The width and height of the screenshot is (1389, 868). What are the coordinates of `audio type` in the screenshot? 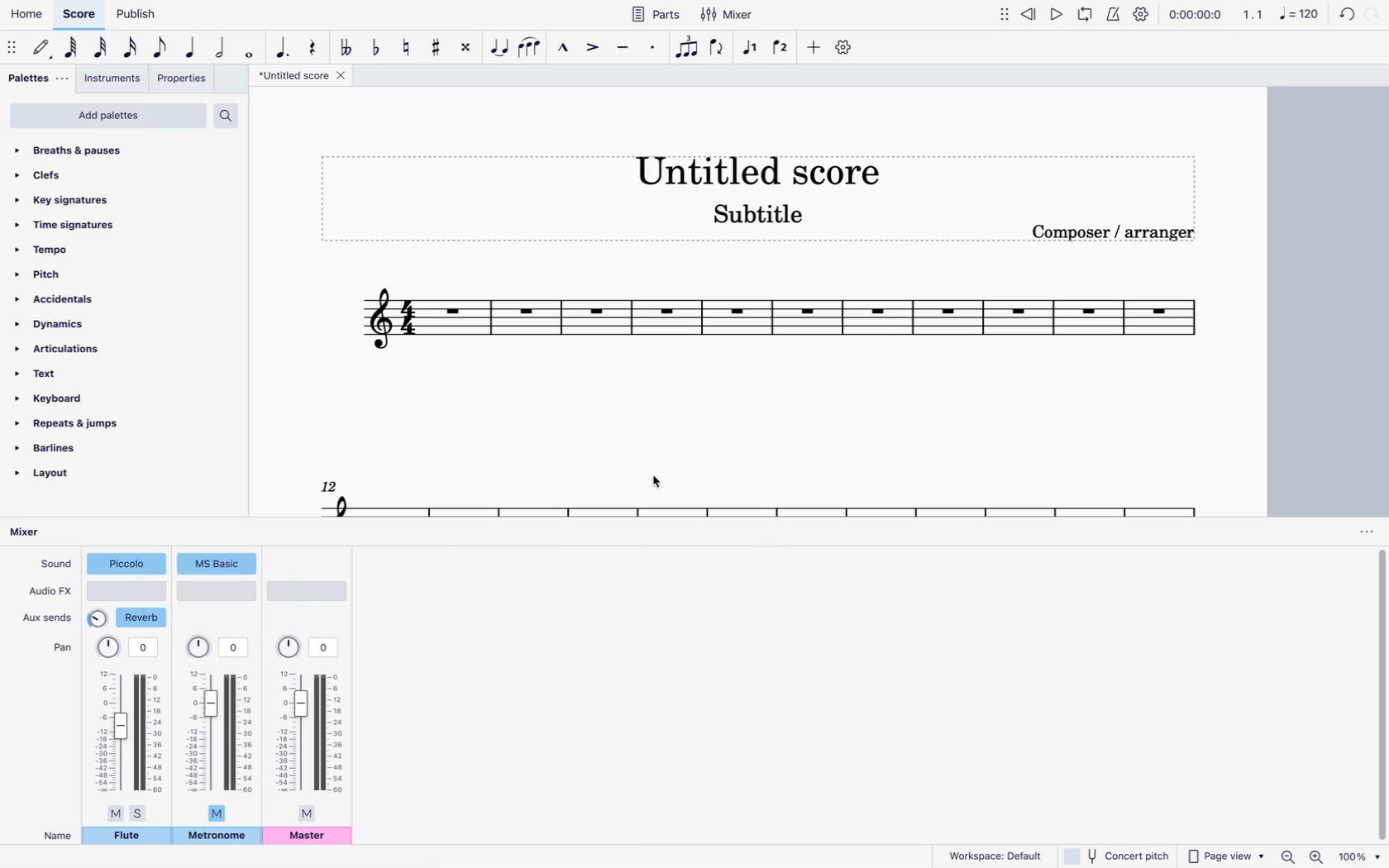 It's located at (126, 590).